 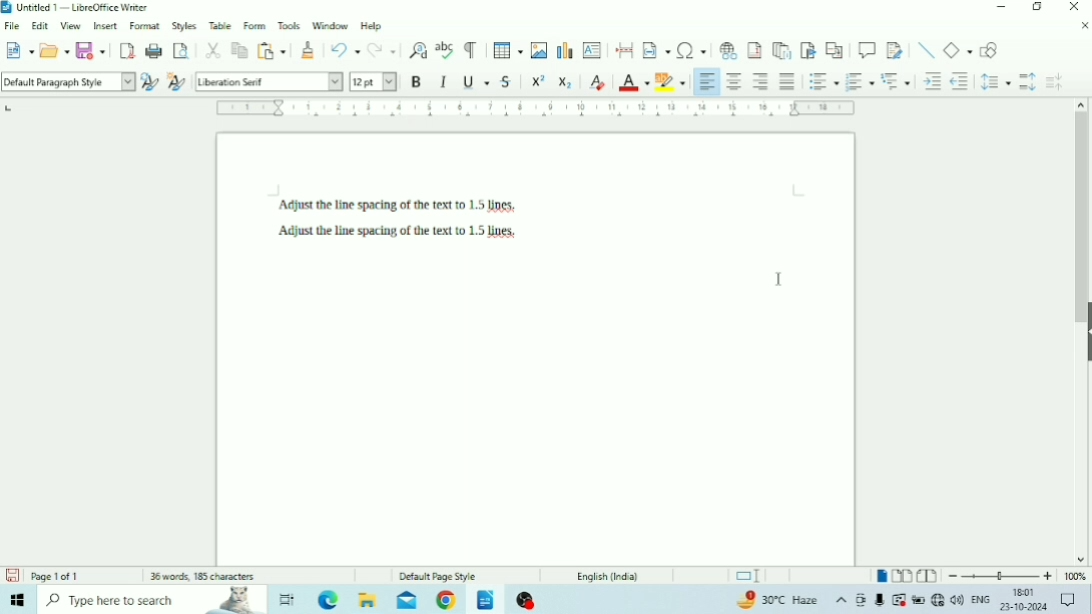 What do you see at coordinates (882, 577) in the screenshot?
I see `Single-page view` at bounding box center [882, 577].